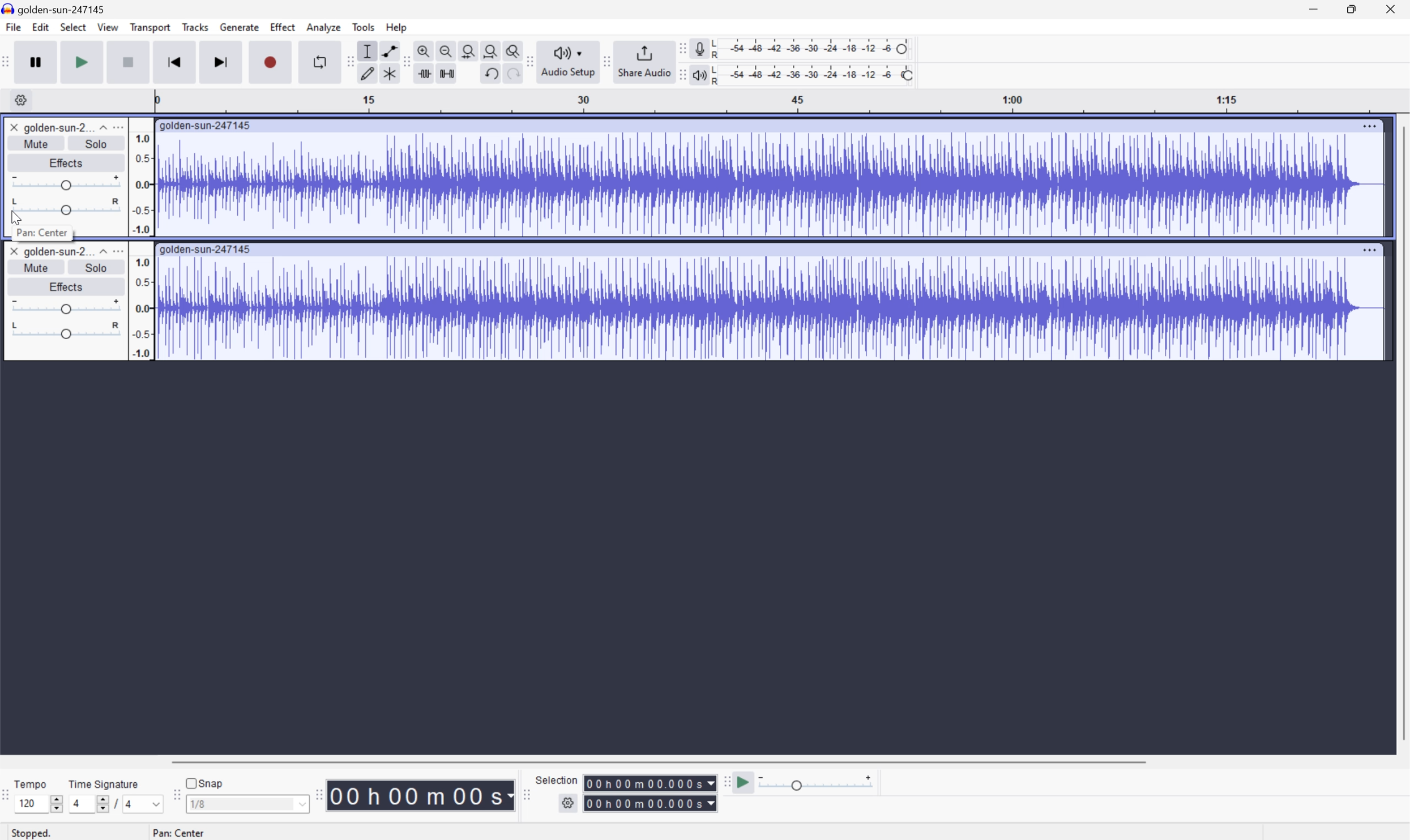 Image resolution: width=1410 pixels, height=840 pixels. I want to click on 1/8, so click(248, 804).